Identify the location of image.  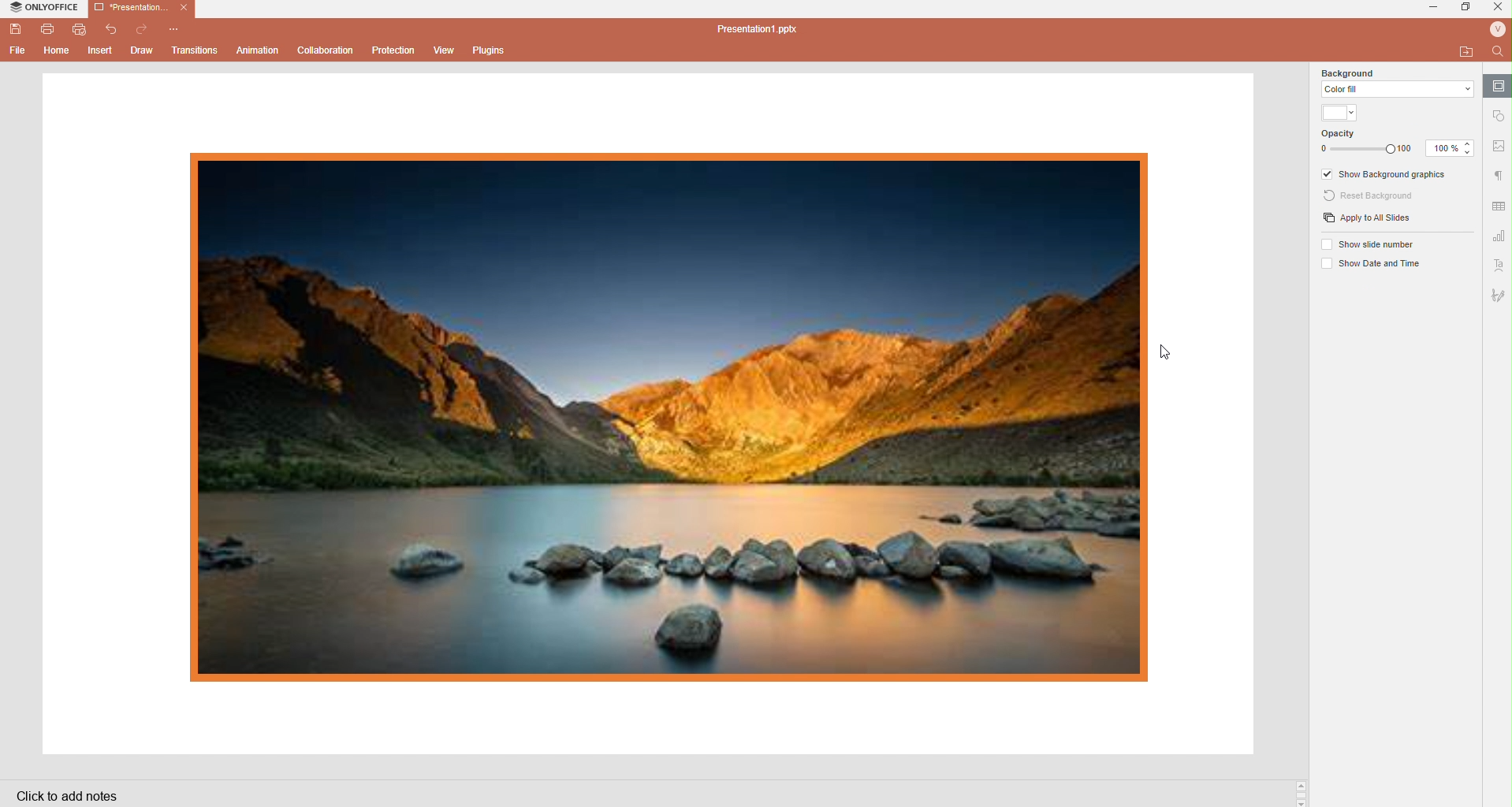
(668, 415).